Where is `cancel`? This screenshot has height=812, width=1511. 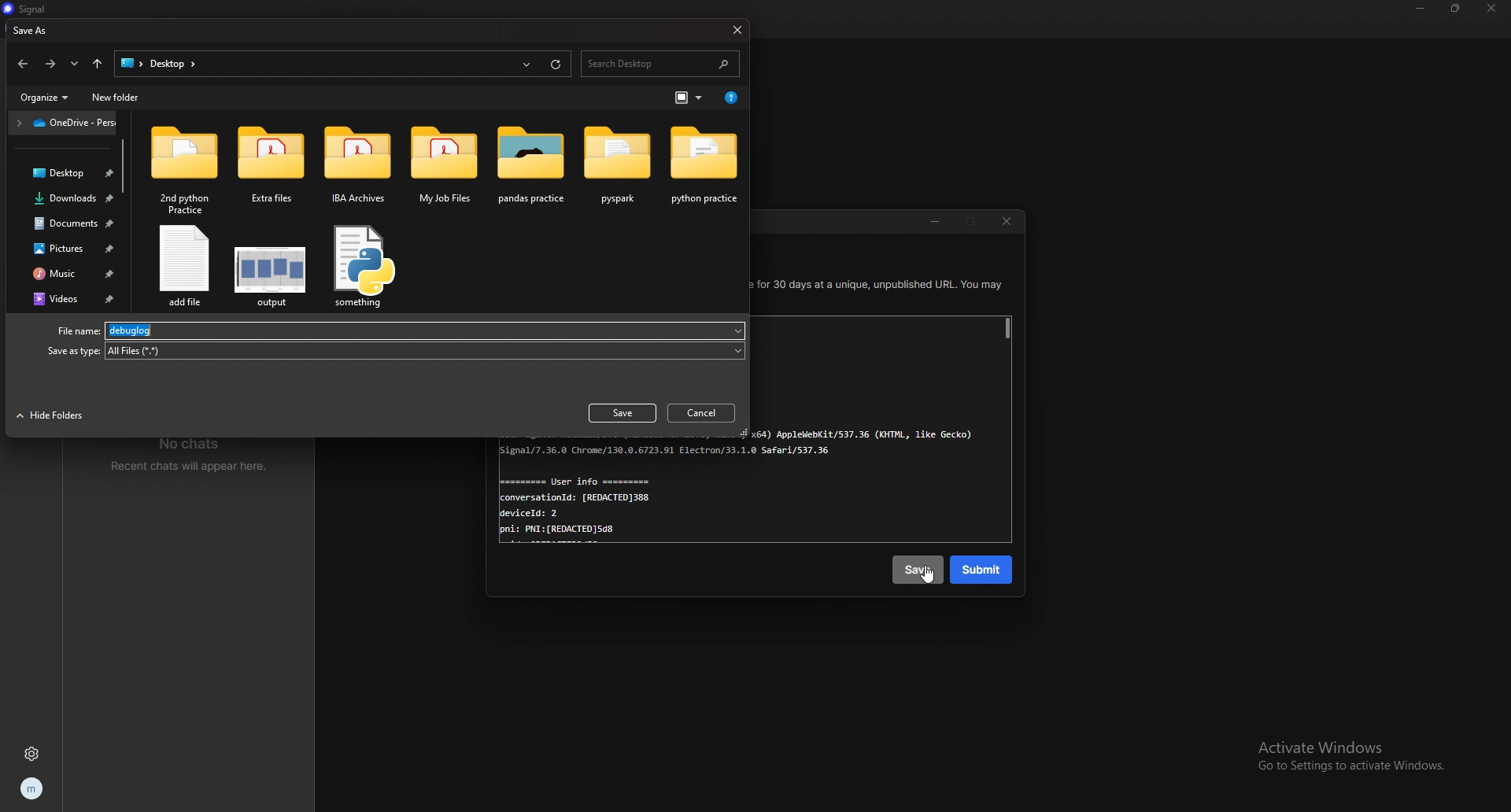
cancel is located at coordinates (703, 413).